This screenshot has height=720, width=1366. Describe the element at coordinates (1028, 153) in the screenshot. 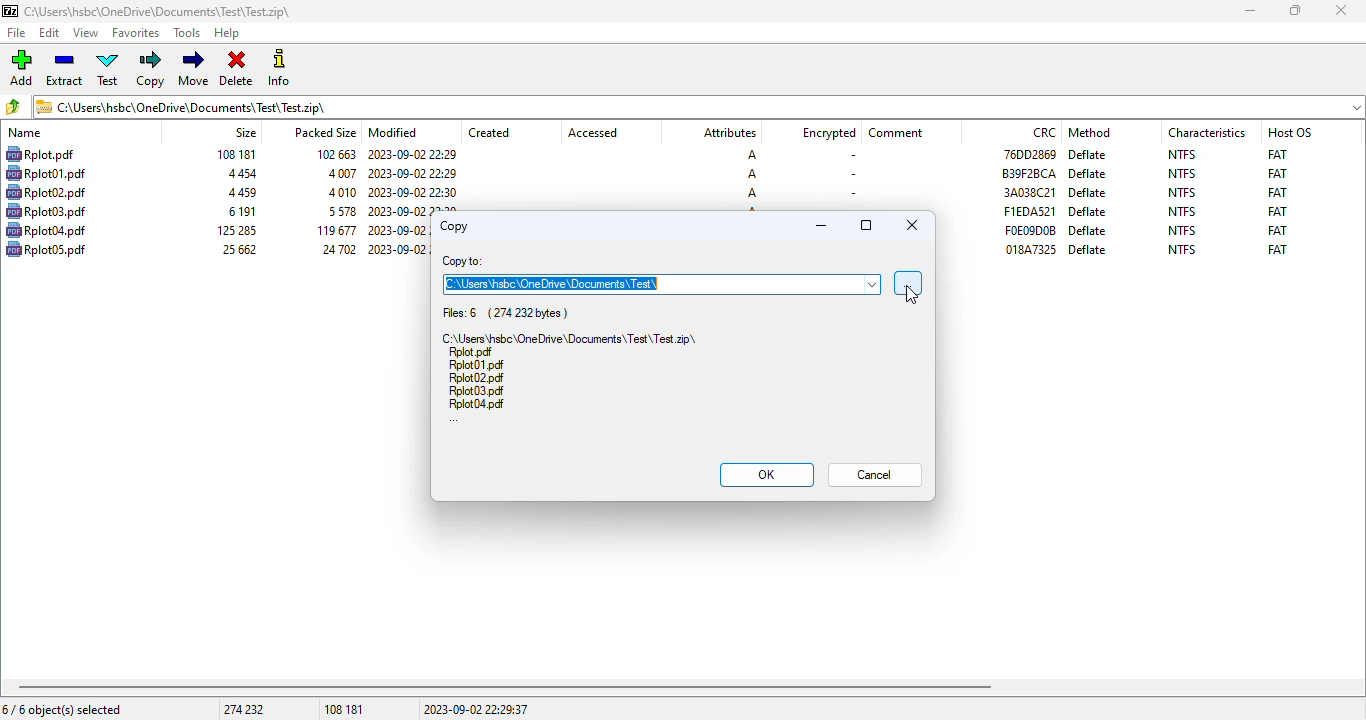

I see `CRC` at that location.